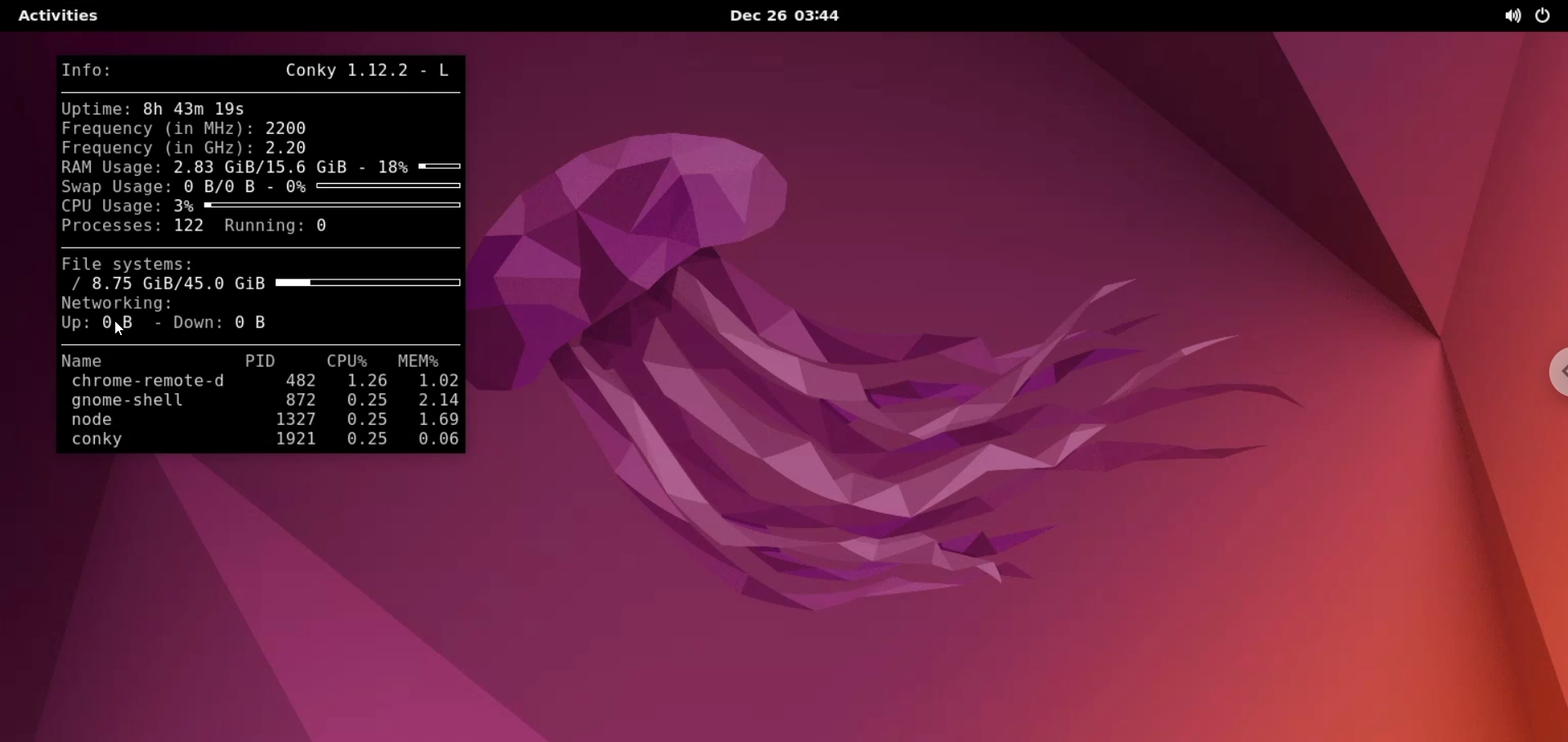 Image resolution: width=1568 pixels, height=742 pixels. What do you see at coordinates (297, 440) in the screenshot?
I see `1921` at bounding box center [297, 440].